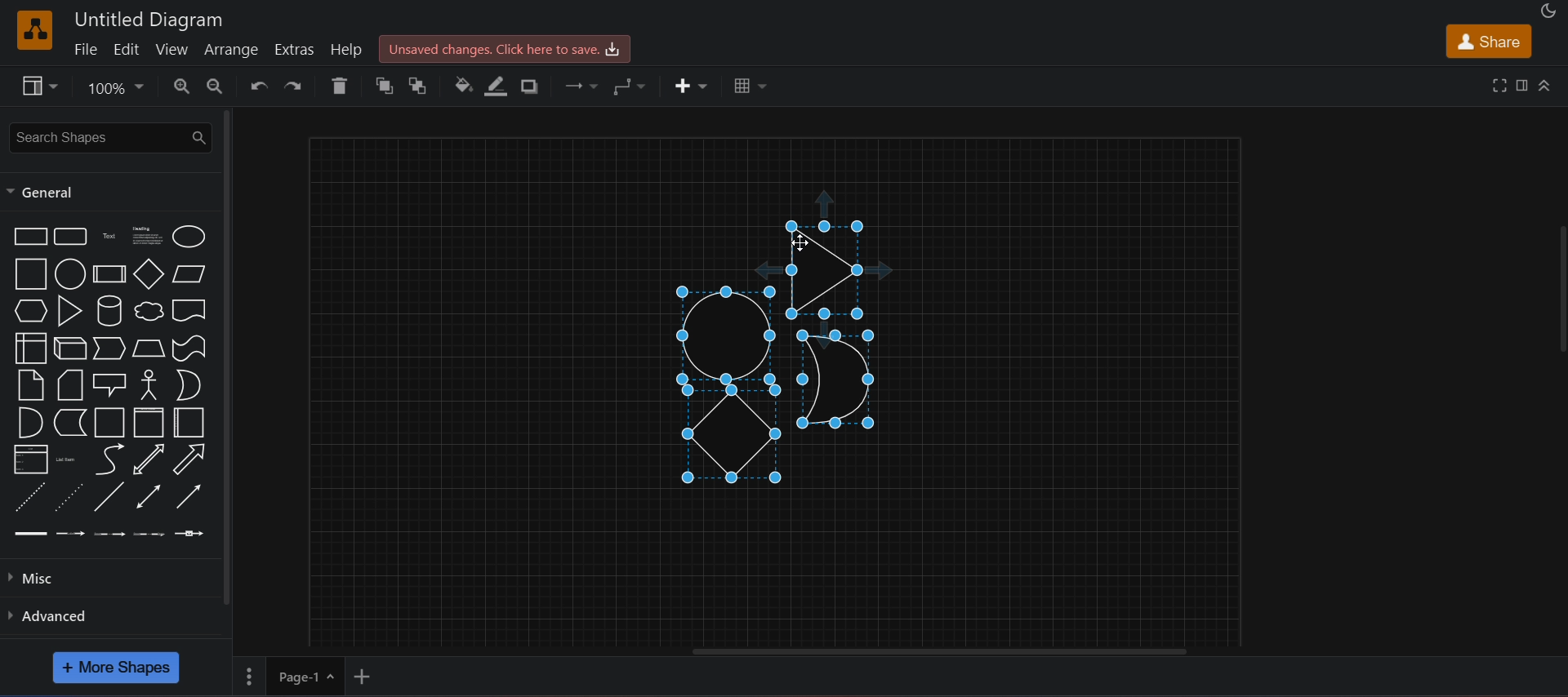  What do you see at coordinates (1497, 85) in the screenshot?
I see `fullscreen` at bounding box center [1497, 85].